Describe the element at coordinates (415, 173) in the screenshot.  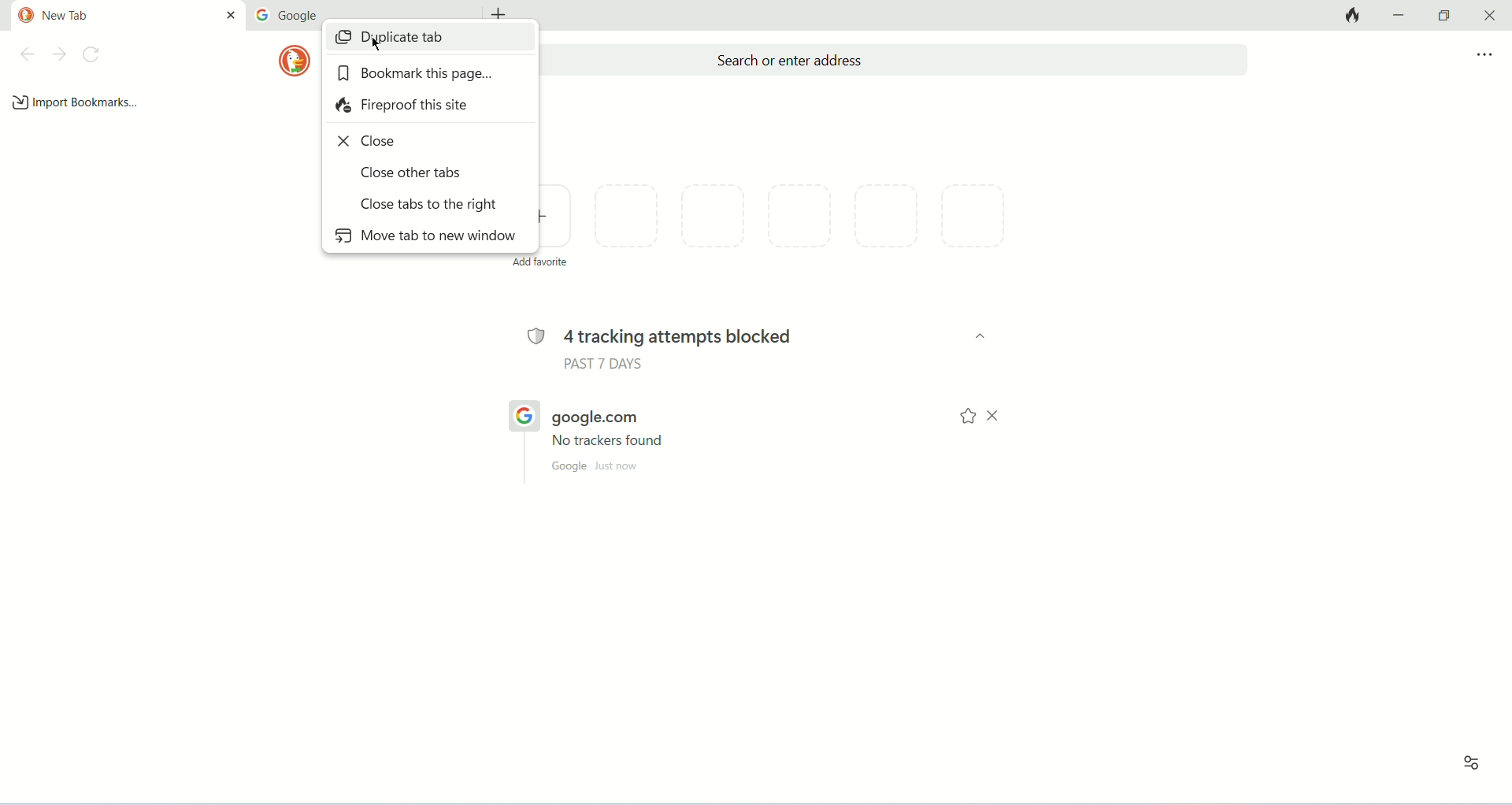
I see `close other tabs` at that location.